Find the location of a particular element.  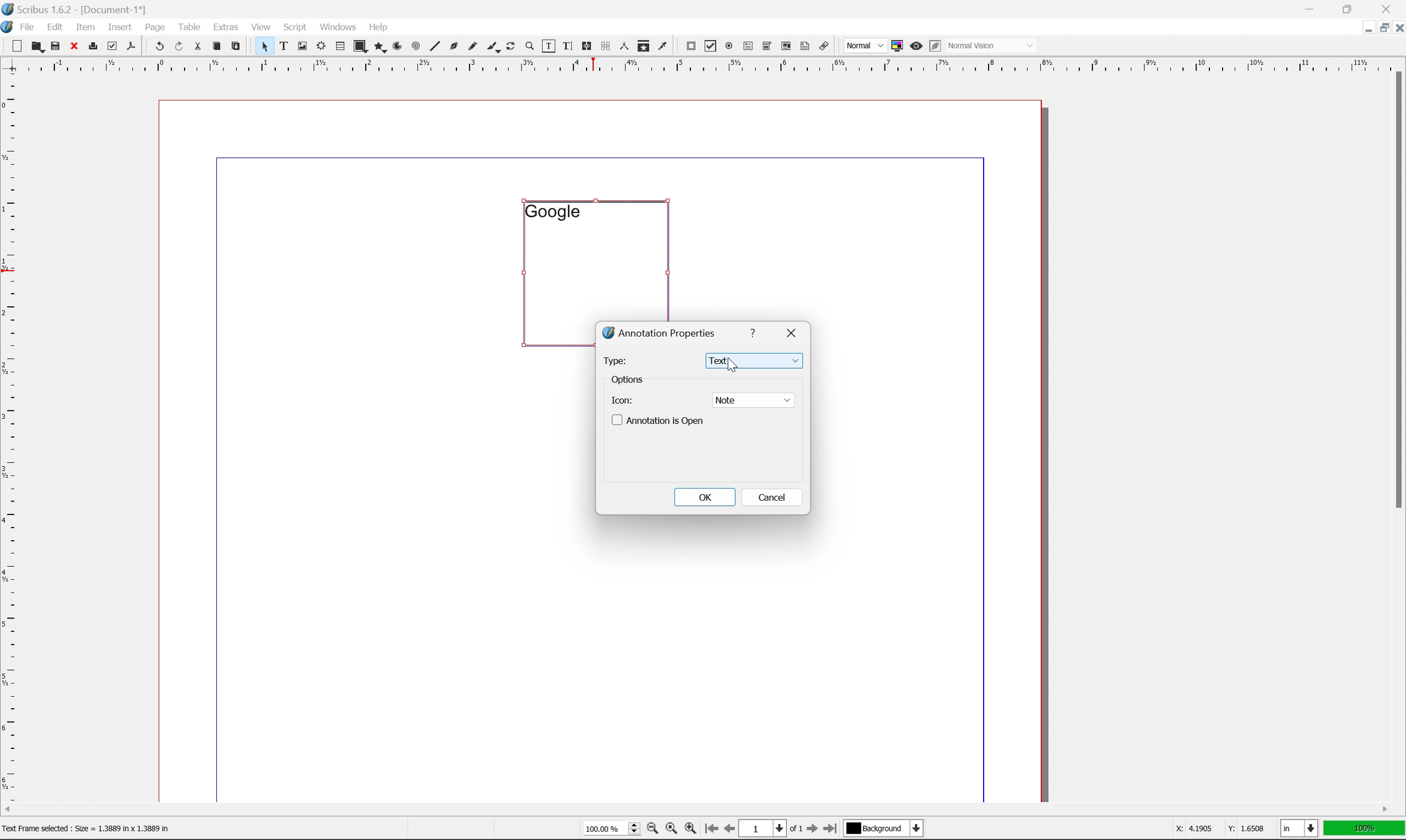

preflight verifier is located at coordinates (113, 45).